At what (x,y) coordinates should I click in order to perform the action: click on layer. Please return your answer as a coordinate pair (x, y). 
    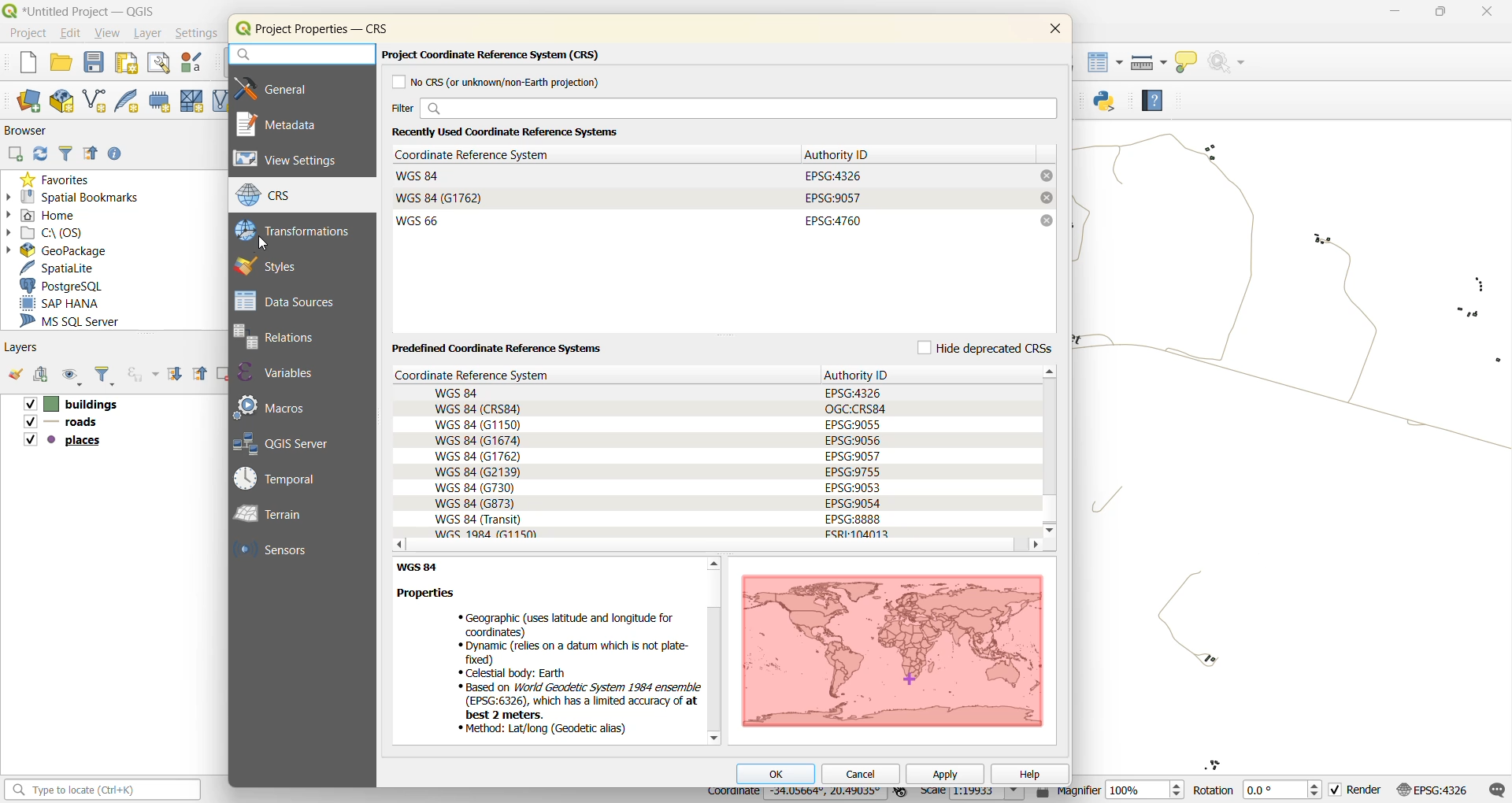
    Looking at the image, I should click on (146, 34).